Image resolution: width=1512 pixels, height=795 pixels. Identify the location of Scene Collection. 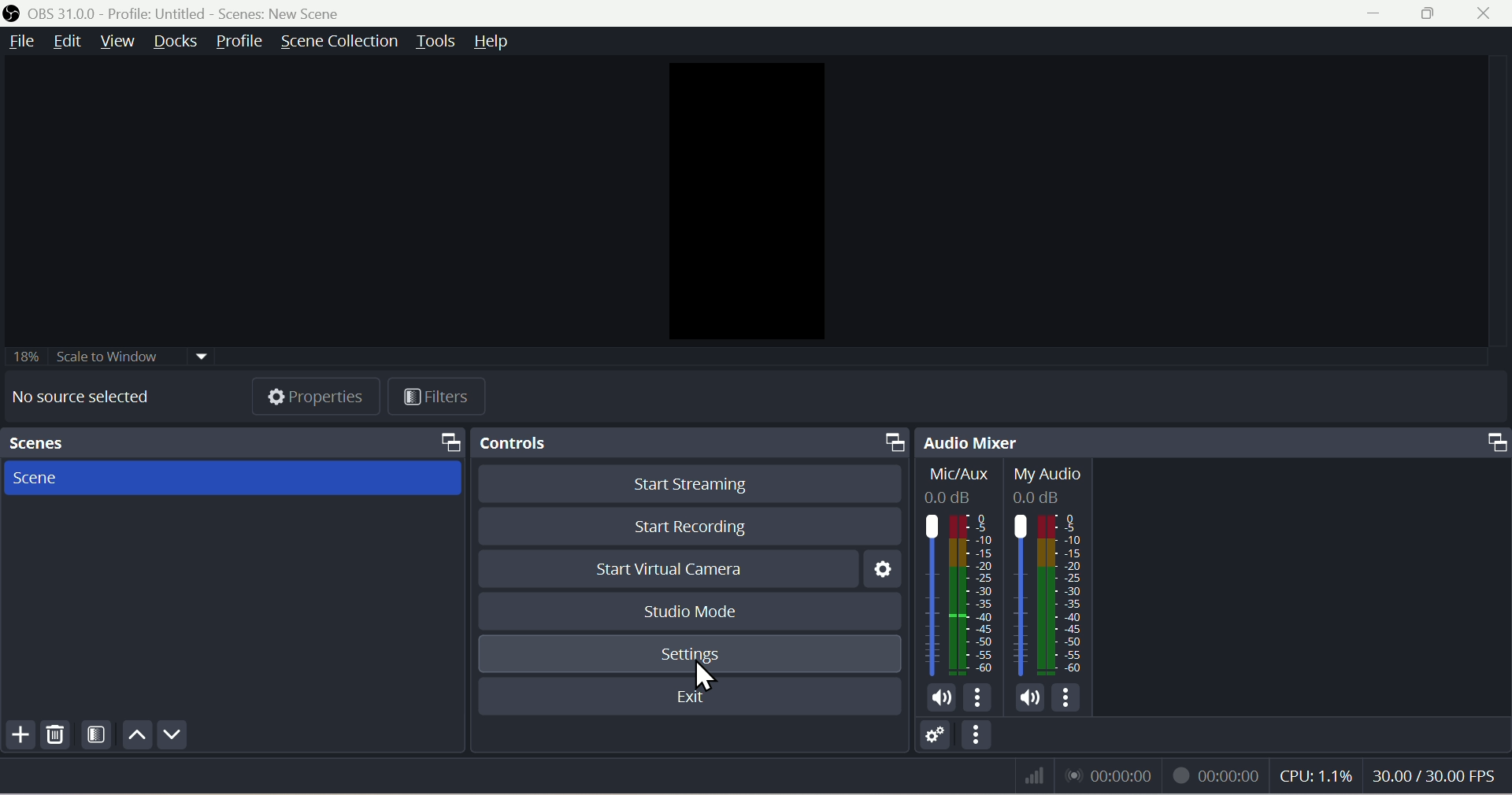
(338, 41).